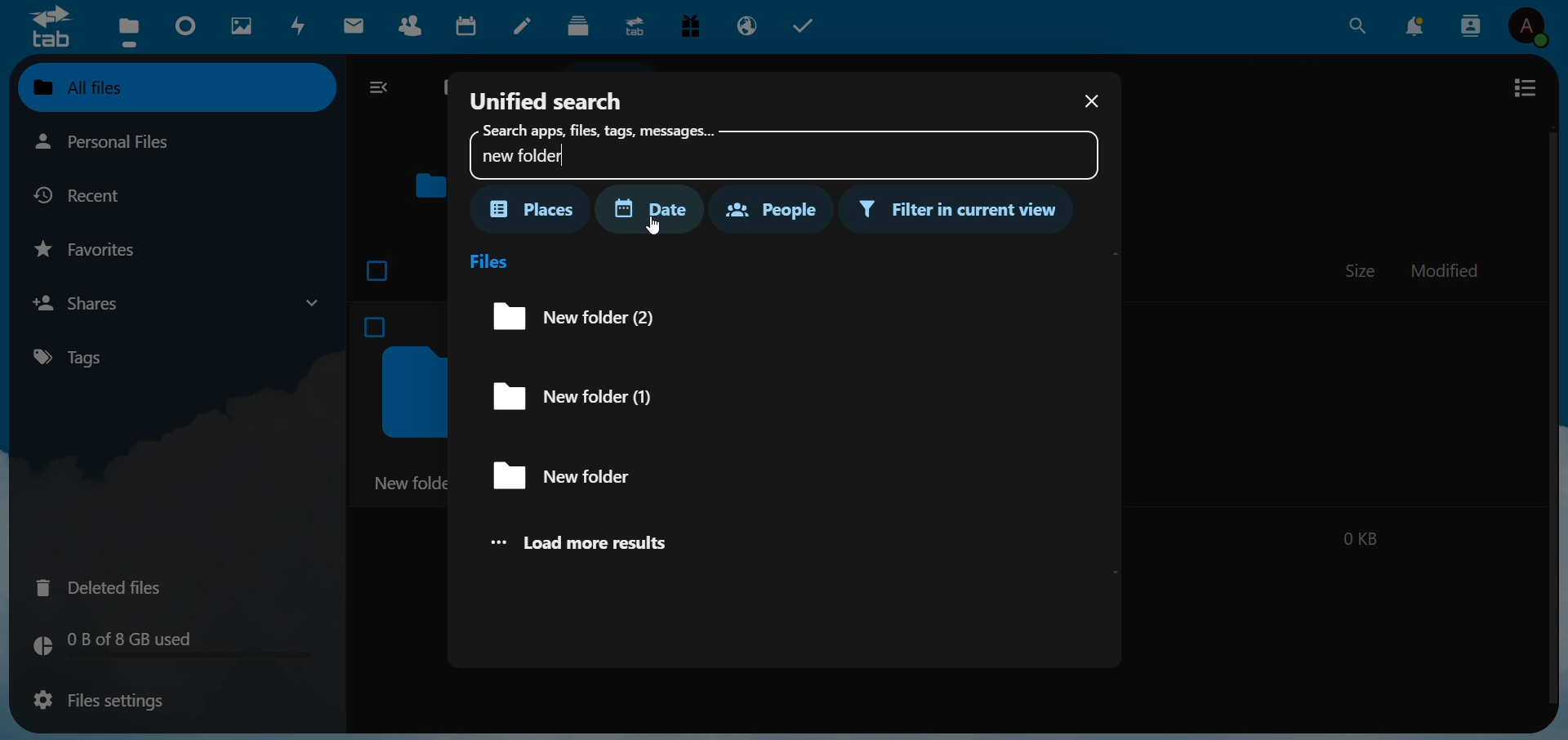  Describe the element at coordinates (695, 28) in the screenshot. I see `free trial` at that location.